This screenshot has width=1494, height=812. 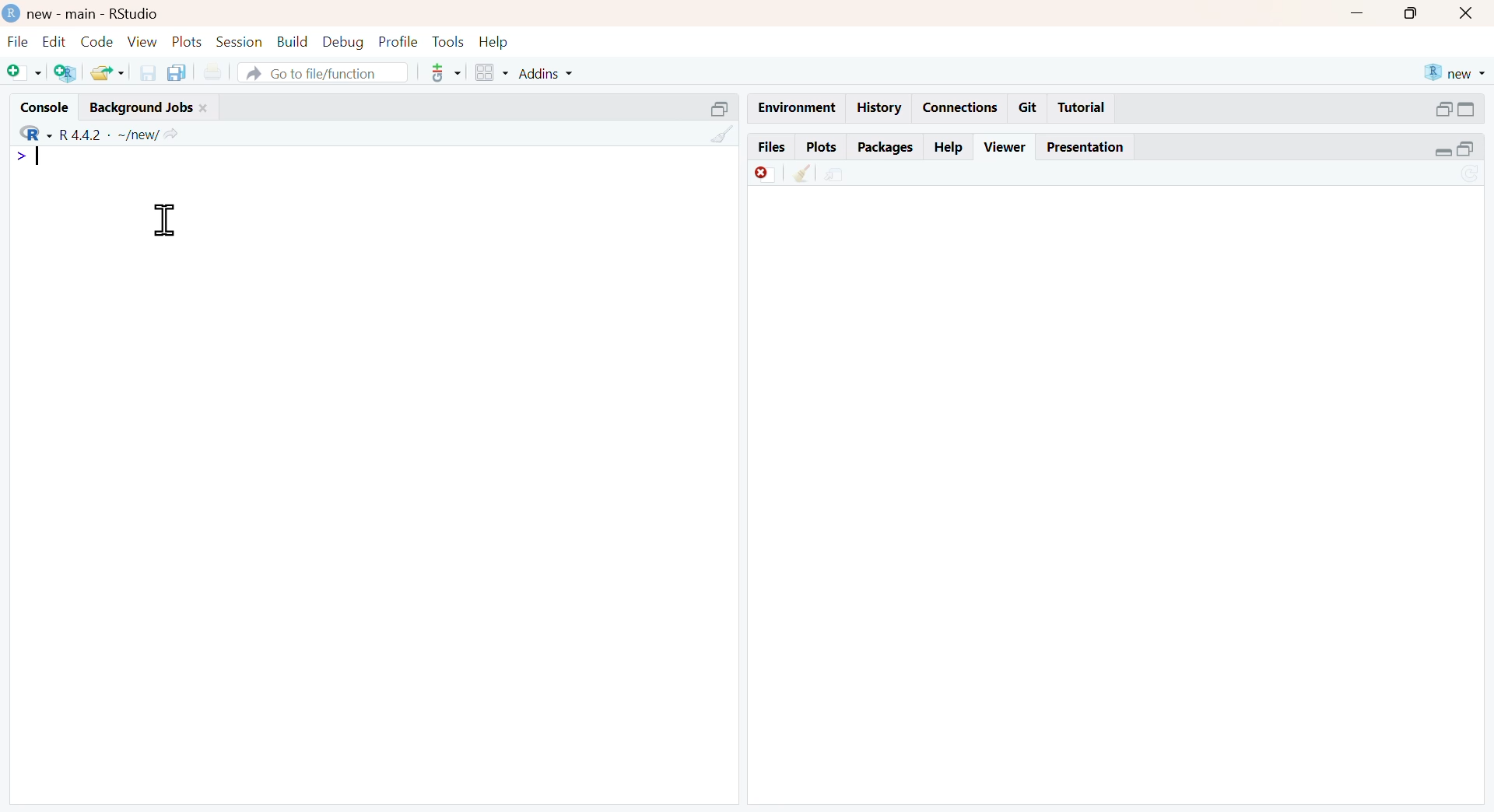 I want to click on minimise, so click(x=1442, y=152).